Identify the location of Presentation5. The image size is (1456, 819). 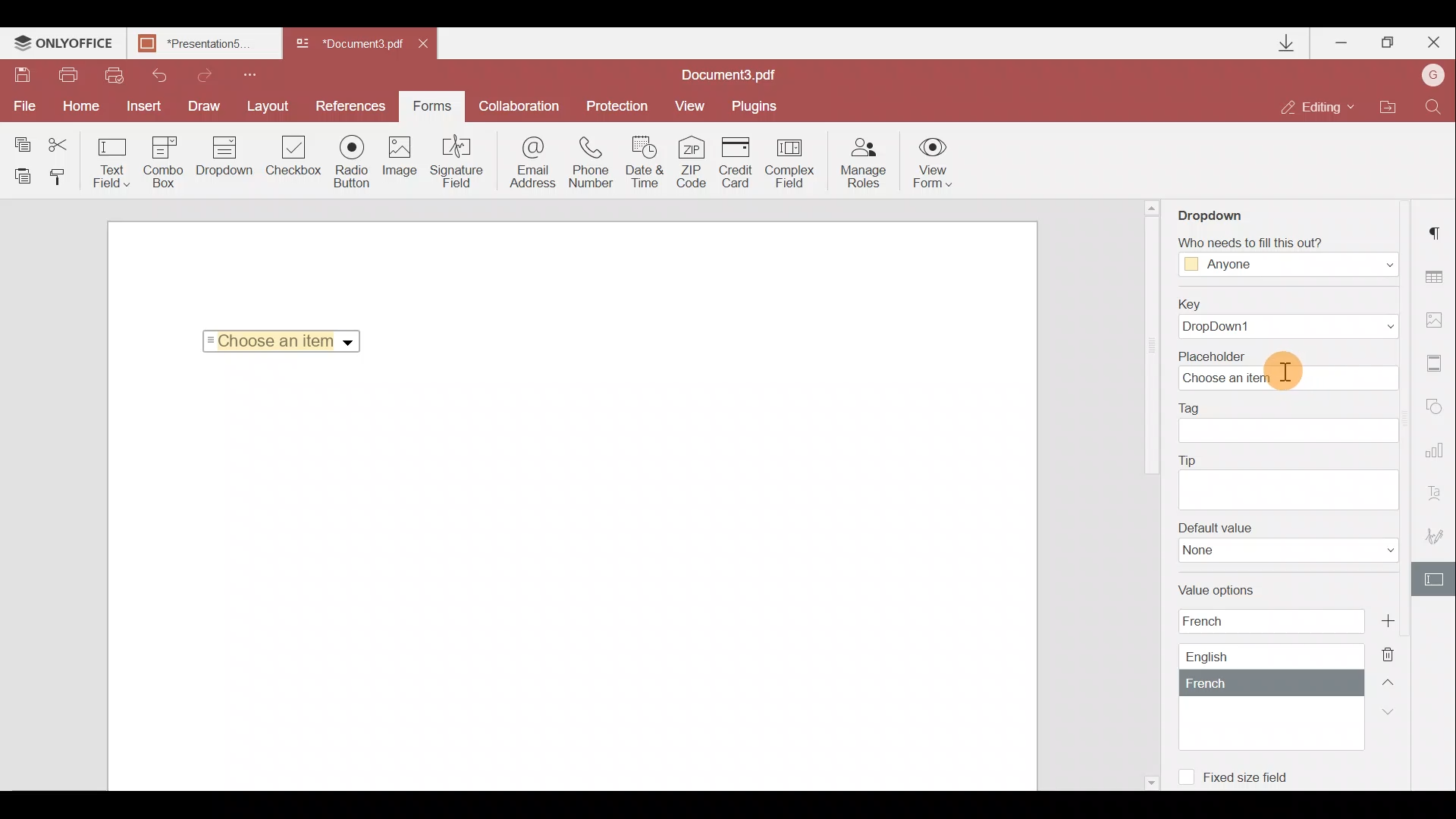
(201, 45).